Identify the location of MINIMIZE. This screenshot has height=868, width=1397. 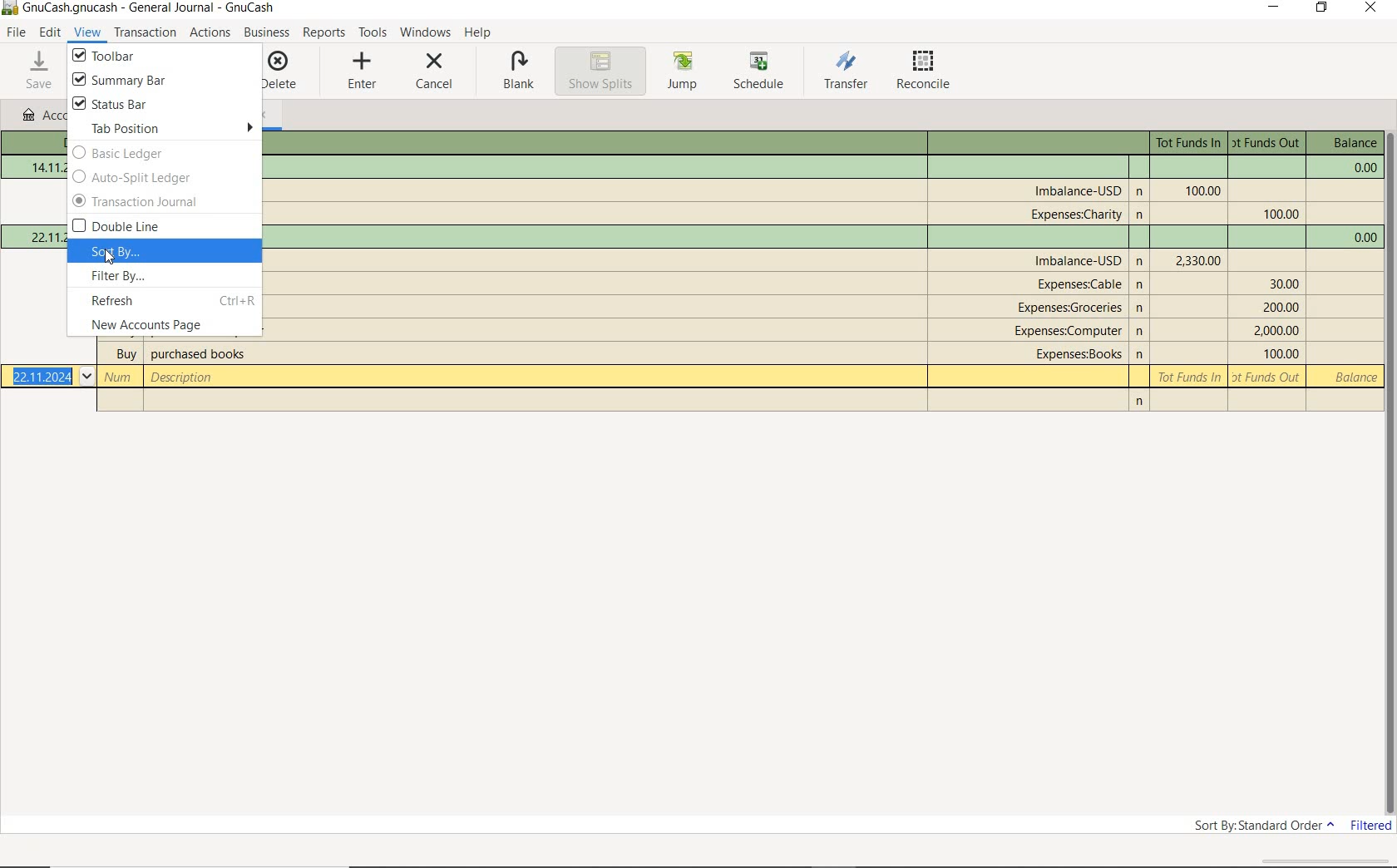
(1276, 10).